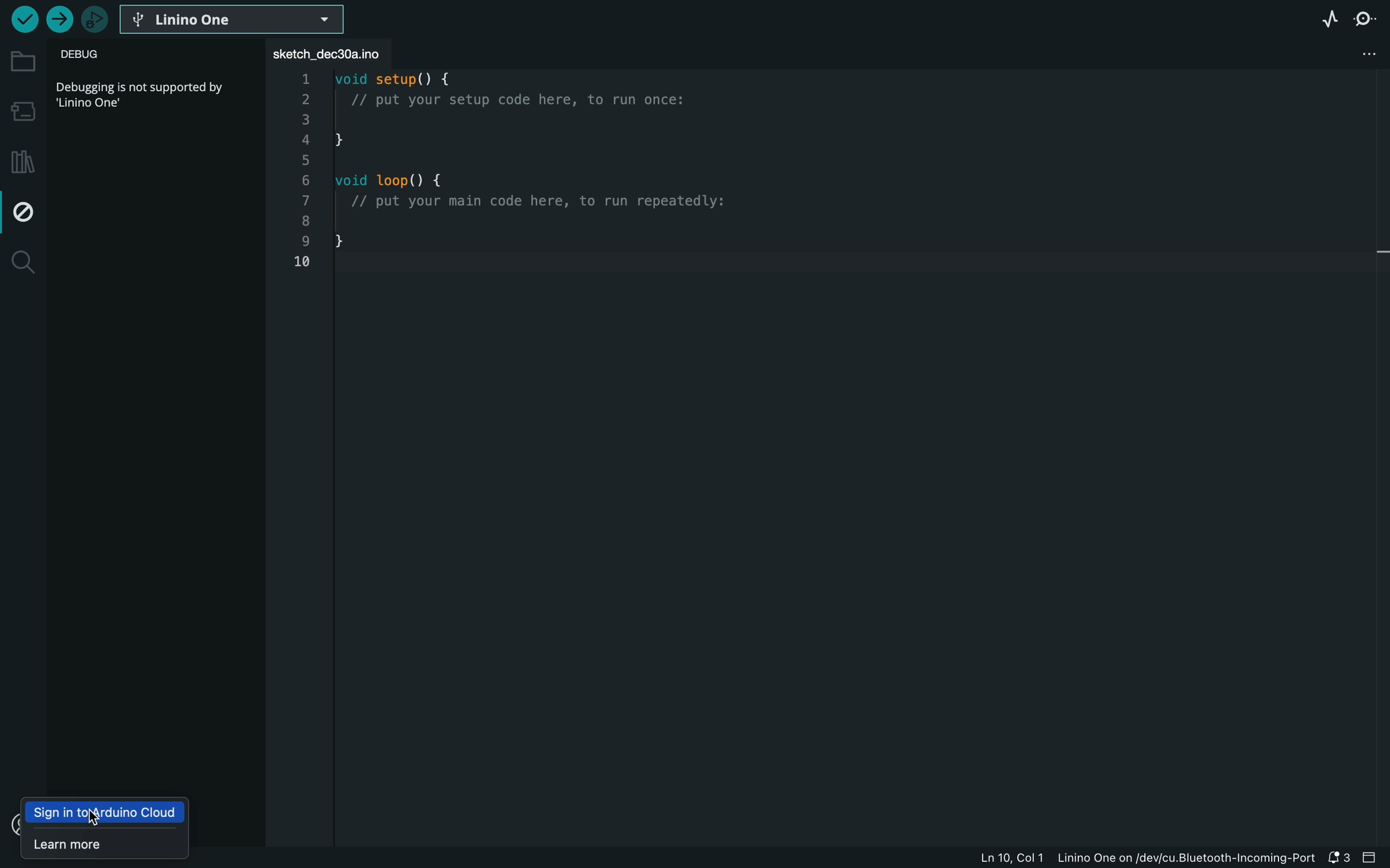  I want to click on debug, so click(25, 208).